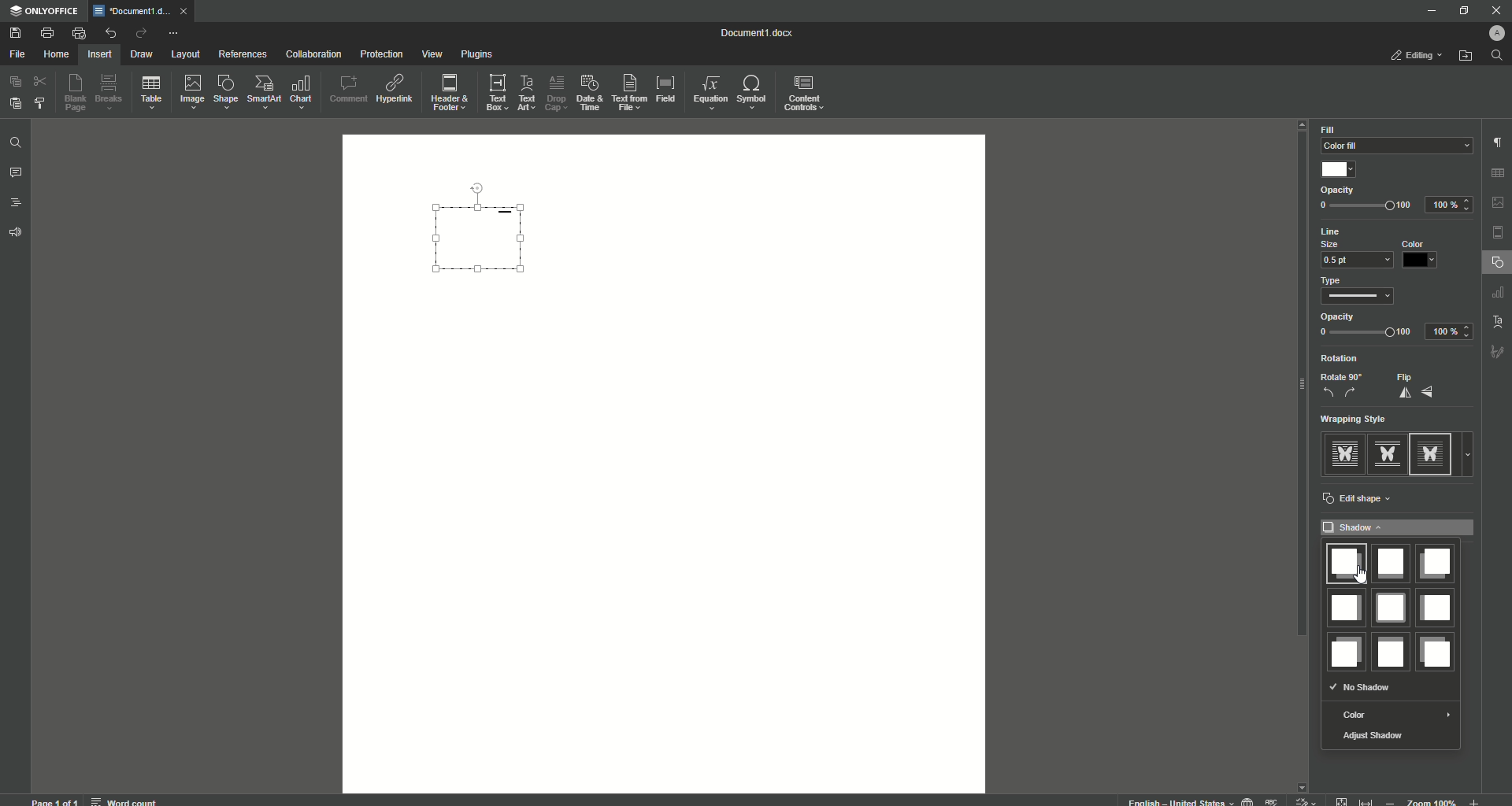 The height and width of the screenshot is (806, 1512). What do you see at coordinates (1329, 130) in the screenshot?
I see `Fill` at bounding box center [1329, 130].